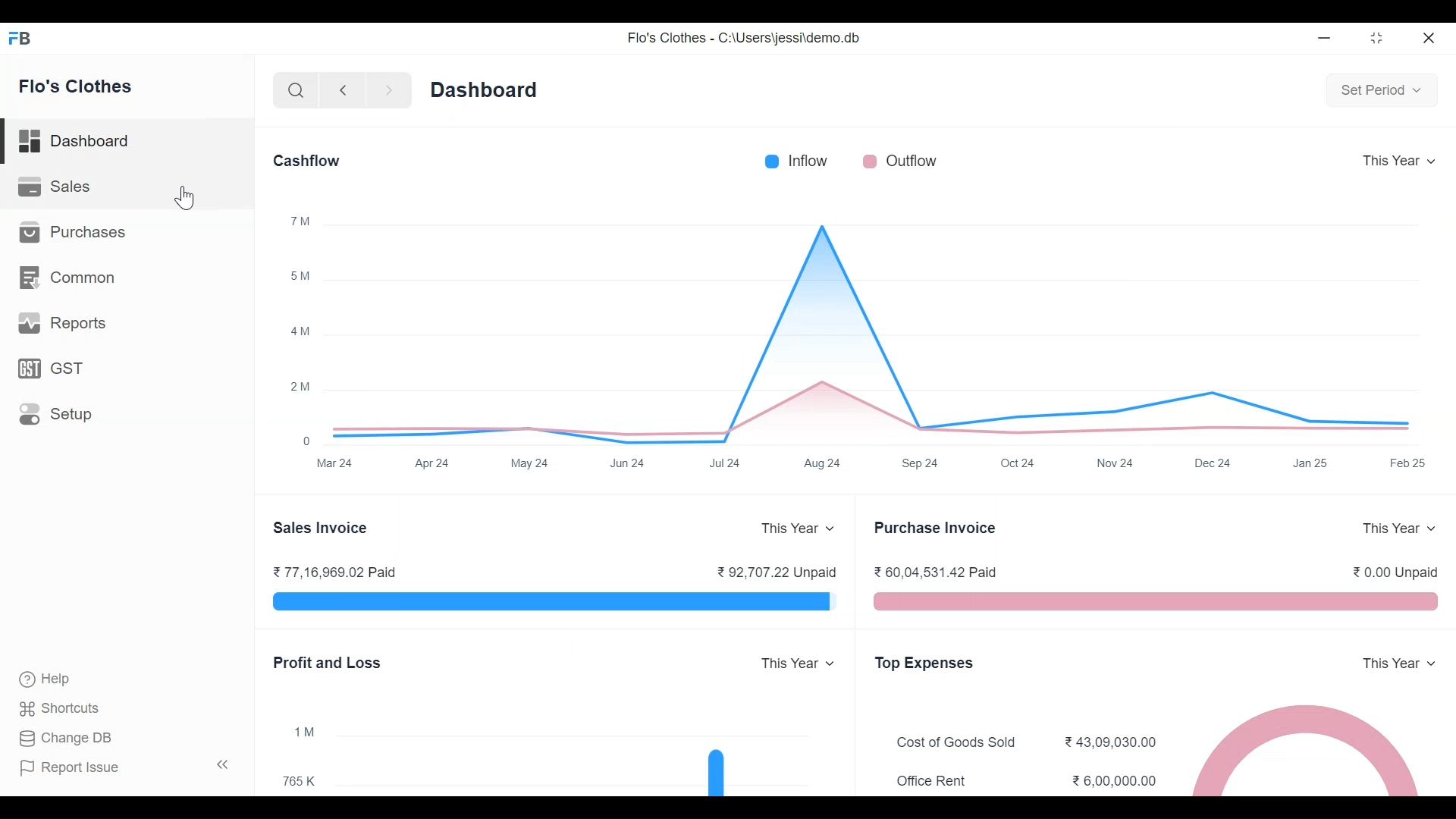 The width and height of the screenshot is (1456, 819). What do you see at coordinates (920, 464) in the screenshot?
I see `Sep24` at bounding box center [920, 464].